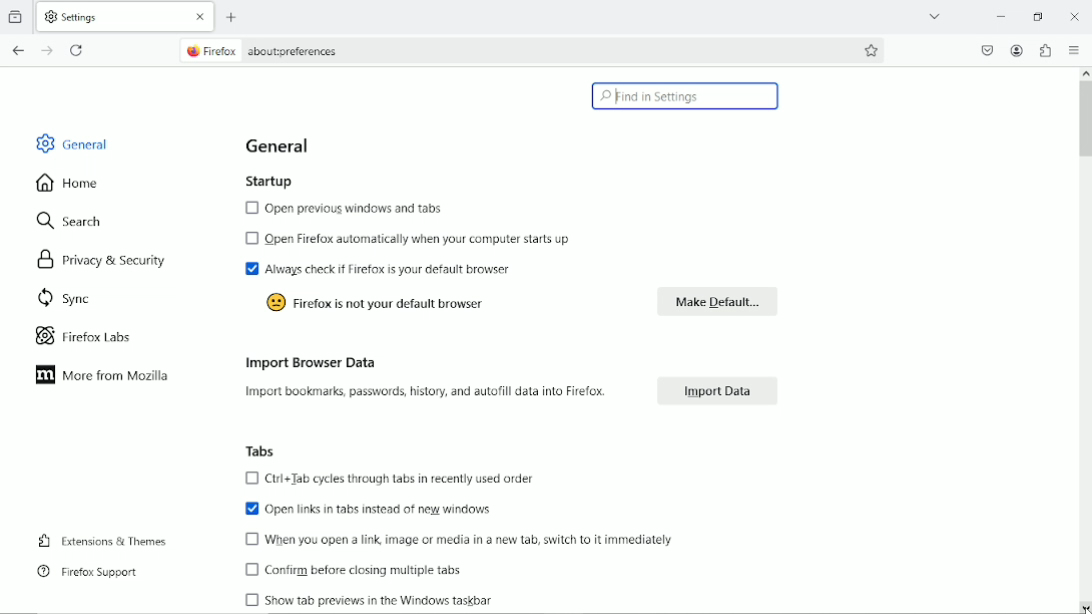  Describe the element at coordinates (1017, 50) in the screenshot. I see `account` at that location.